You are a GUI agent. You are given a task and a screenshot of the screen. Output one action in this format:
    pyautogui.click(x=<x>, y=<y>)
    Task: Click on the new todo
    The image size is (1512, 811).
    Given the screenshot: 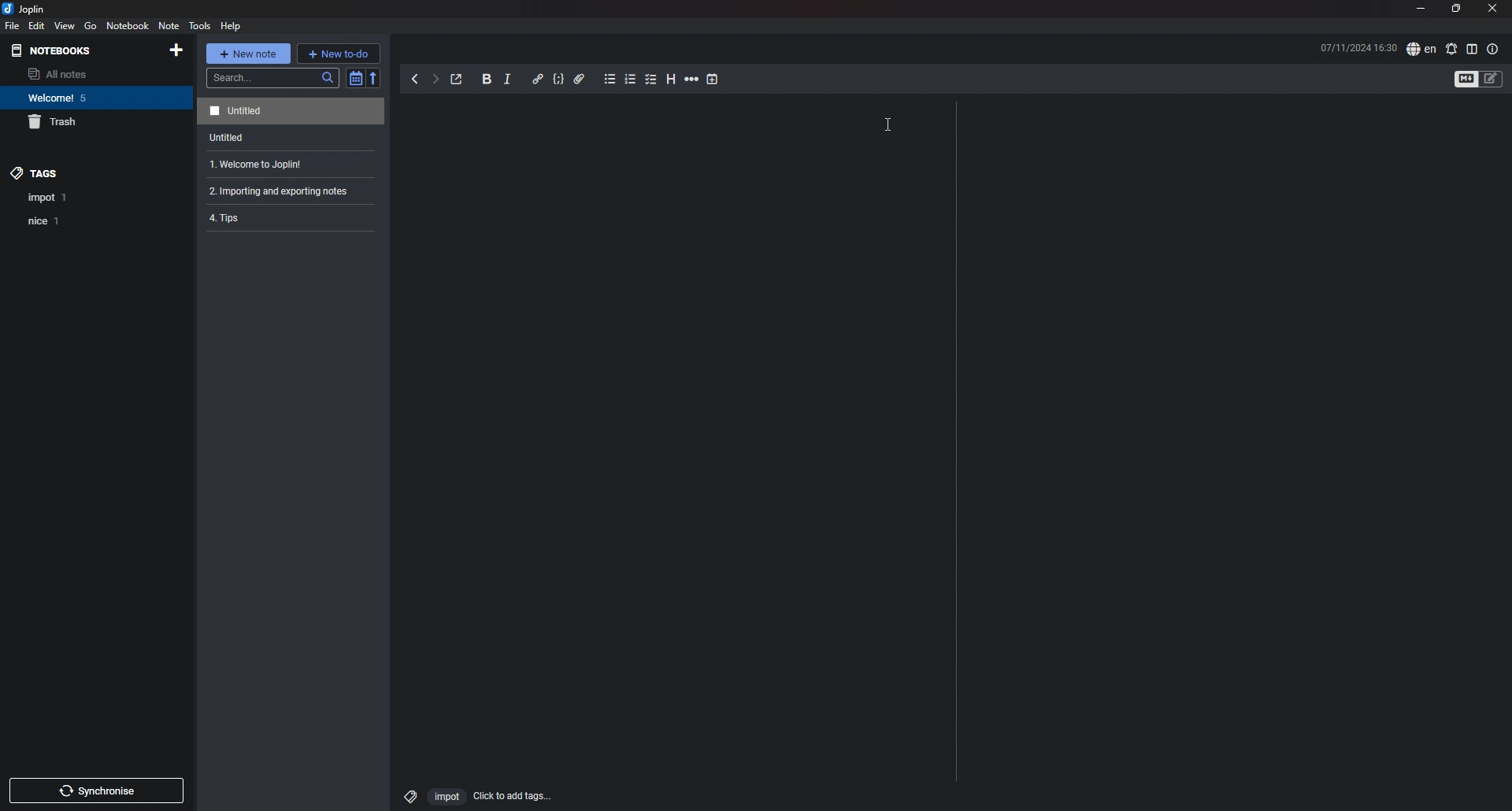 What is the action you would take?
    pyautogui.click(x=339, y=53)
    